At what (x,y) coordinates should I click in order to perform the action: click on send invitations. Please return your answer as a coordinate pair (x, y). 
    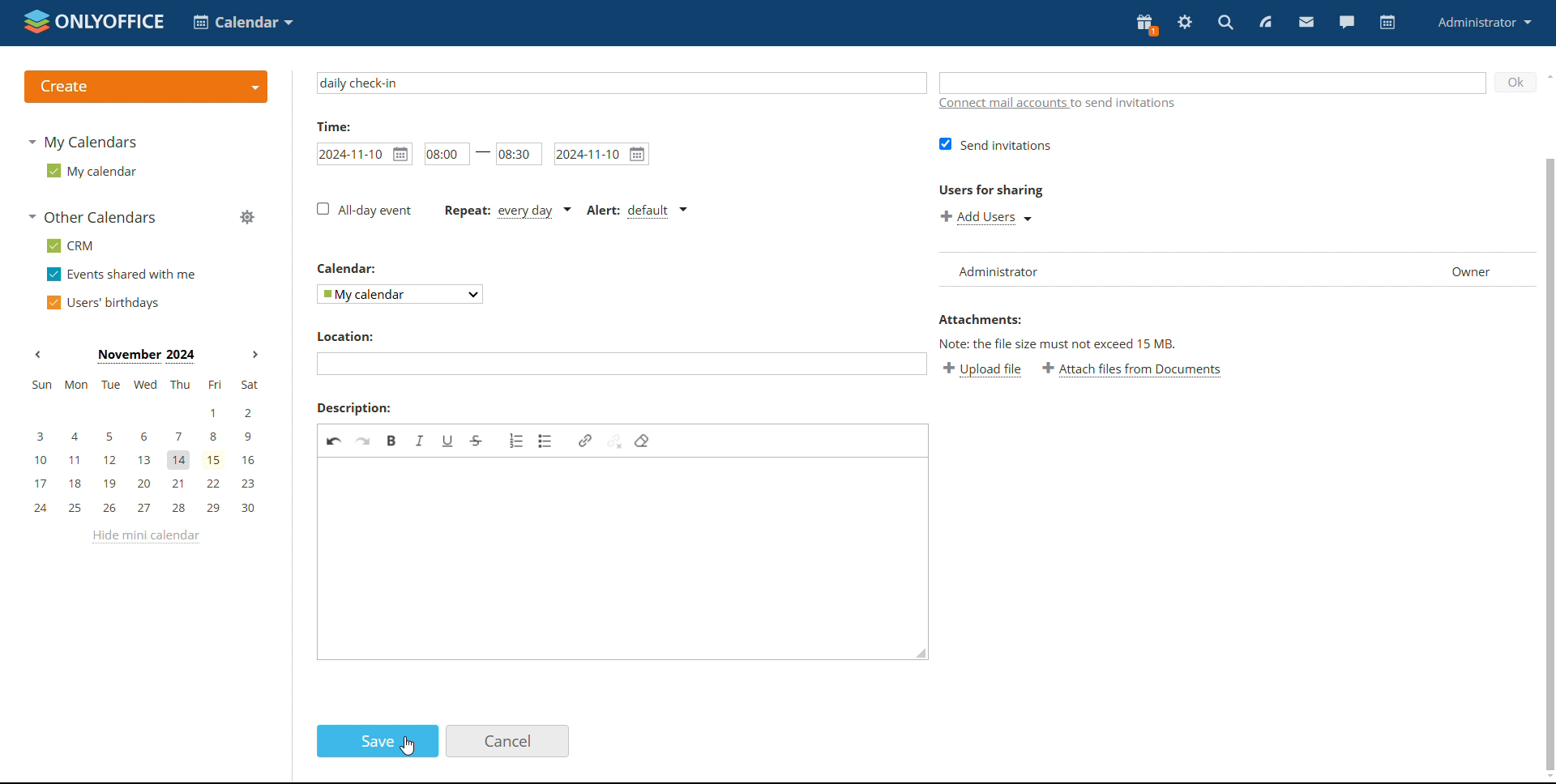
    Looking at the image, I should click on (1003, 144).